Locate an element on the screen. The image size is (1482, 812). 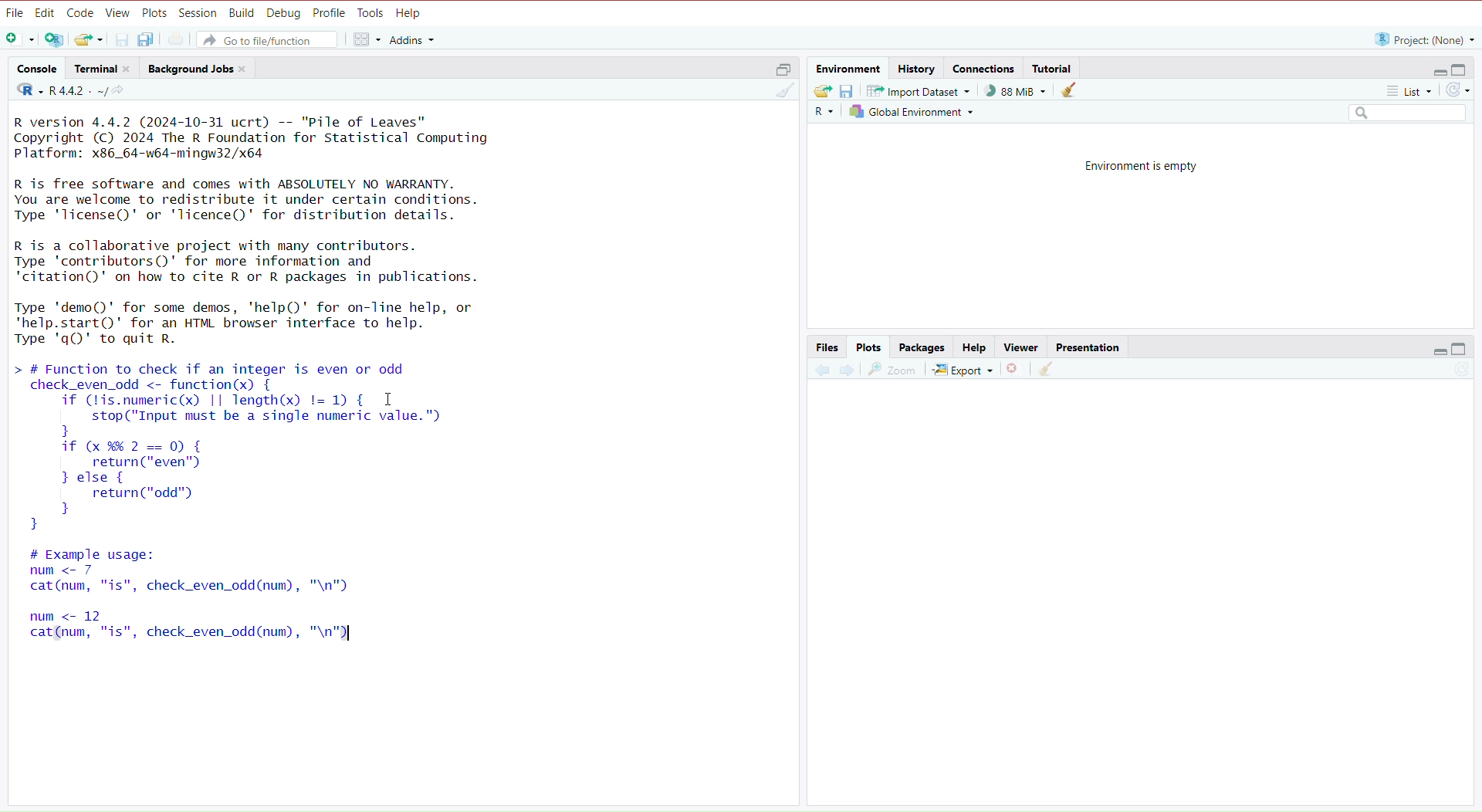
code is located at coordinates (80, 13).